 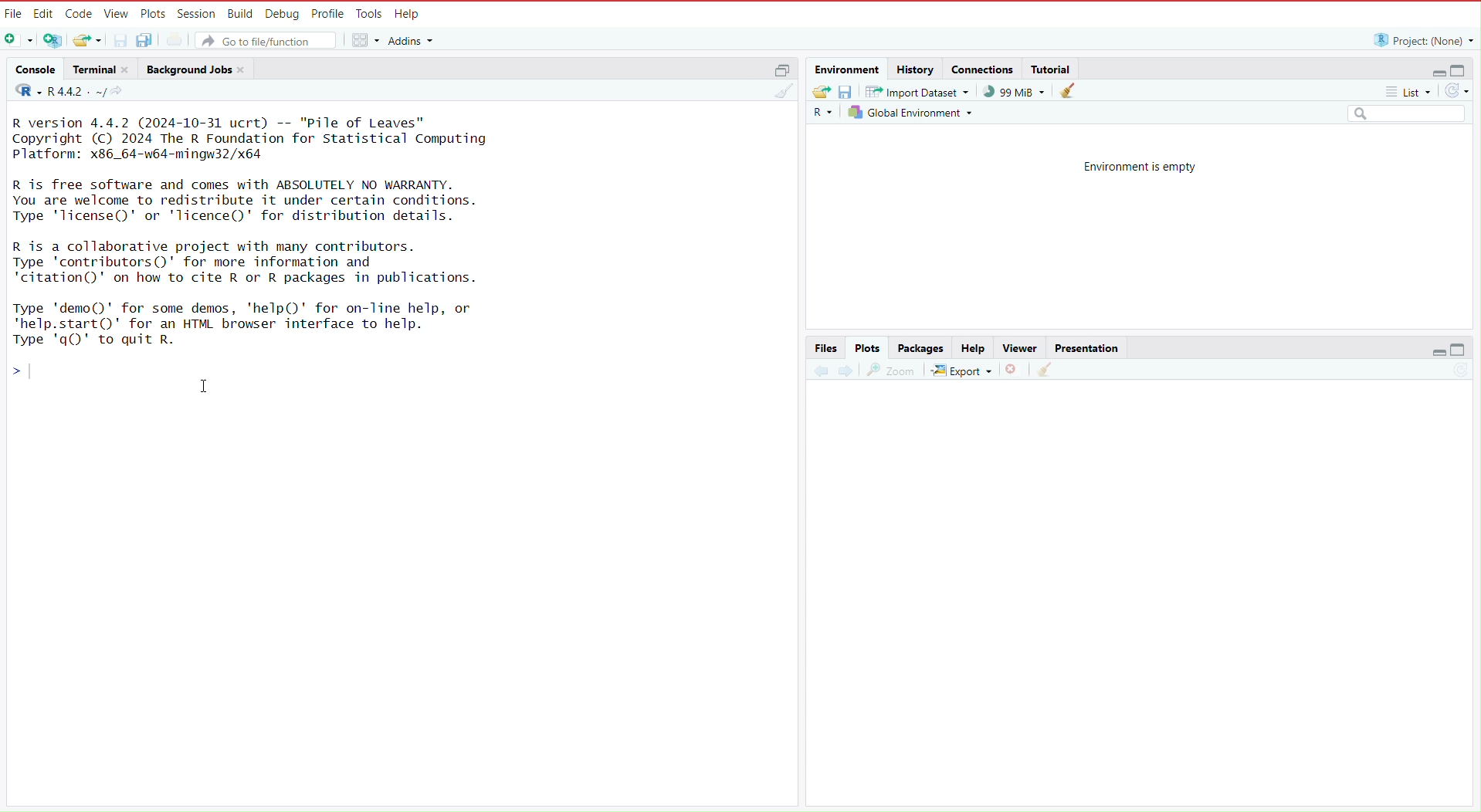 What do you see at coordinates (245, 69) in the screenshot?
I see `close` at bounding box center [245, 69].